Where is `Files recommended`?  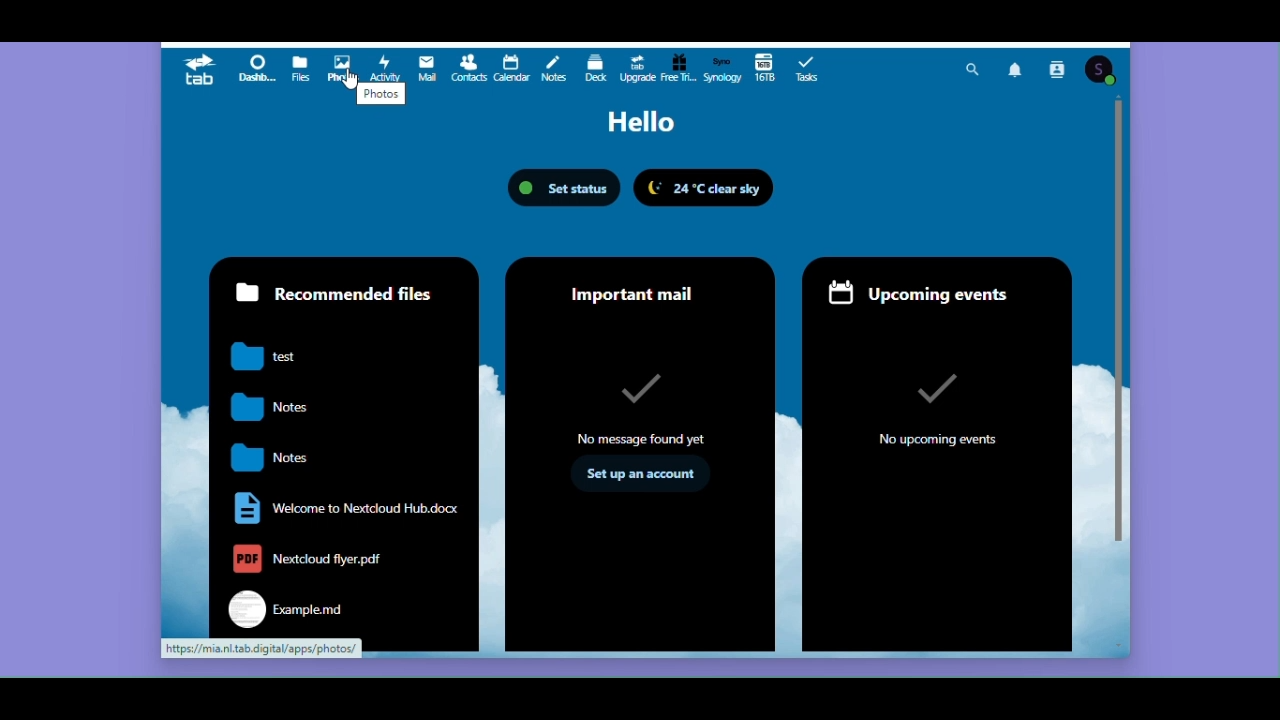
Files recommended is located at coordinates (339, 442).